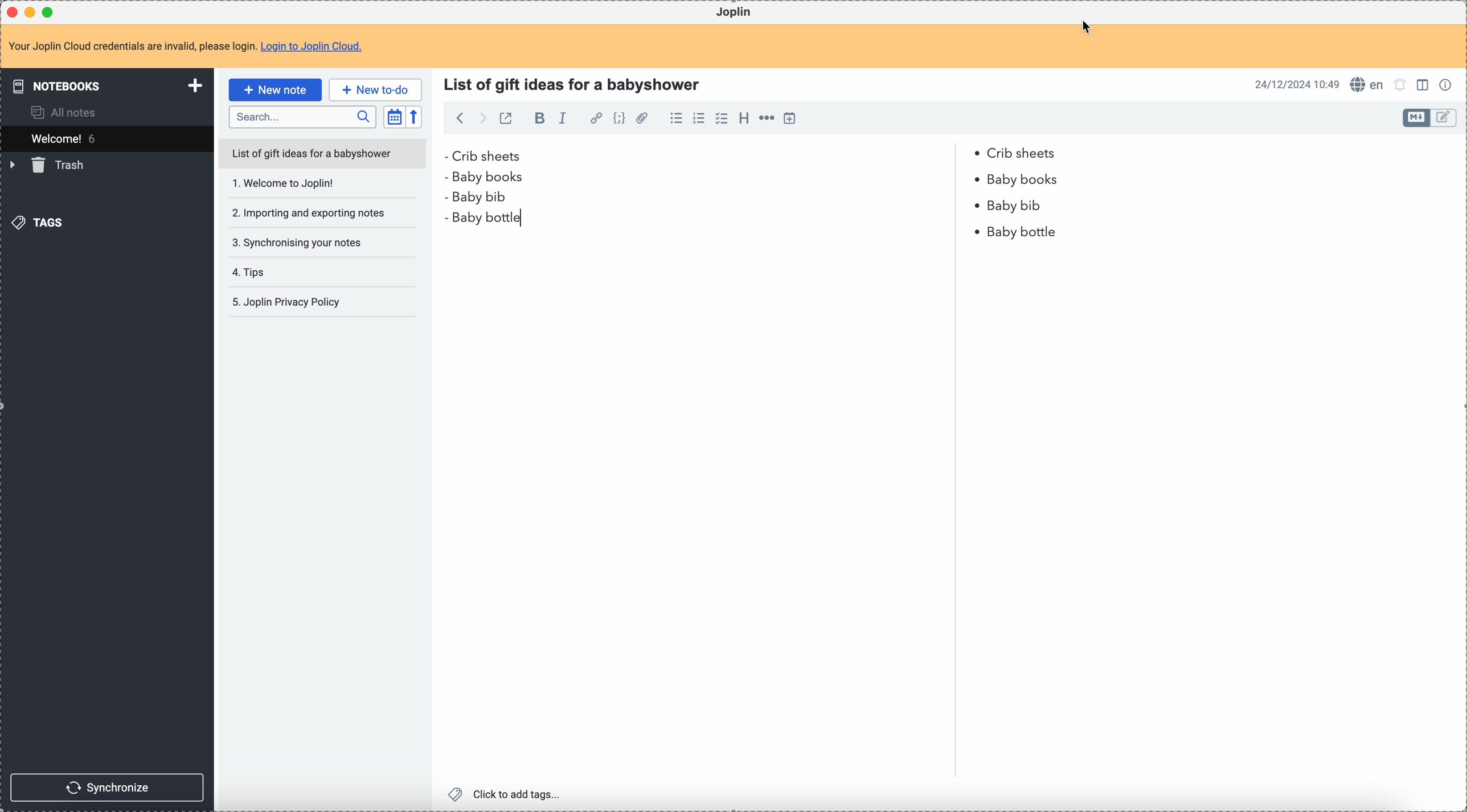 The image size is (1467, 812). I want to click on maximize Joplin, so click(51, 11).